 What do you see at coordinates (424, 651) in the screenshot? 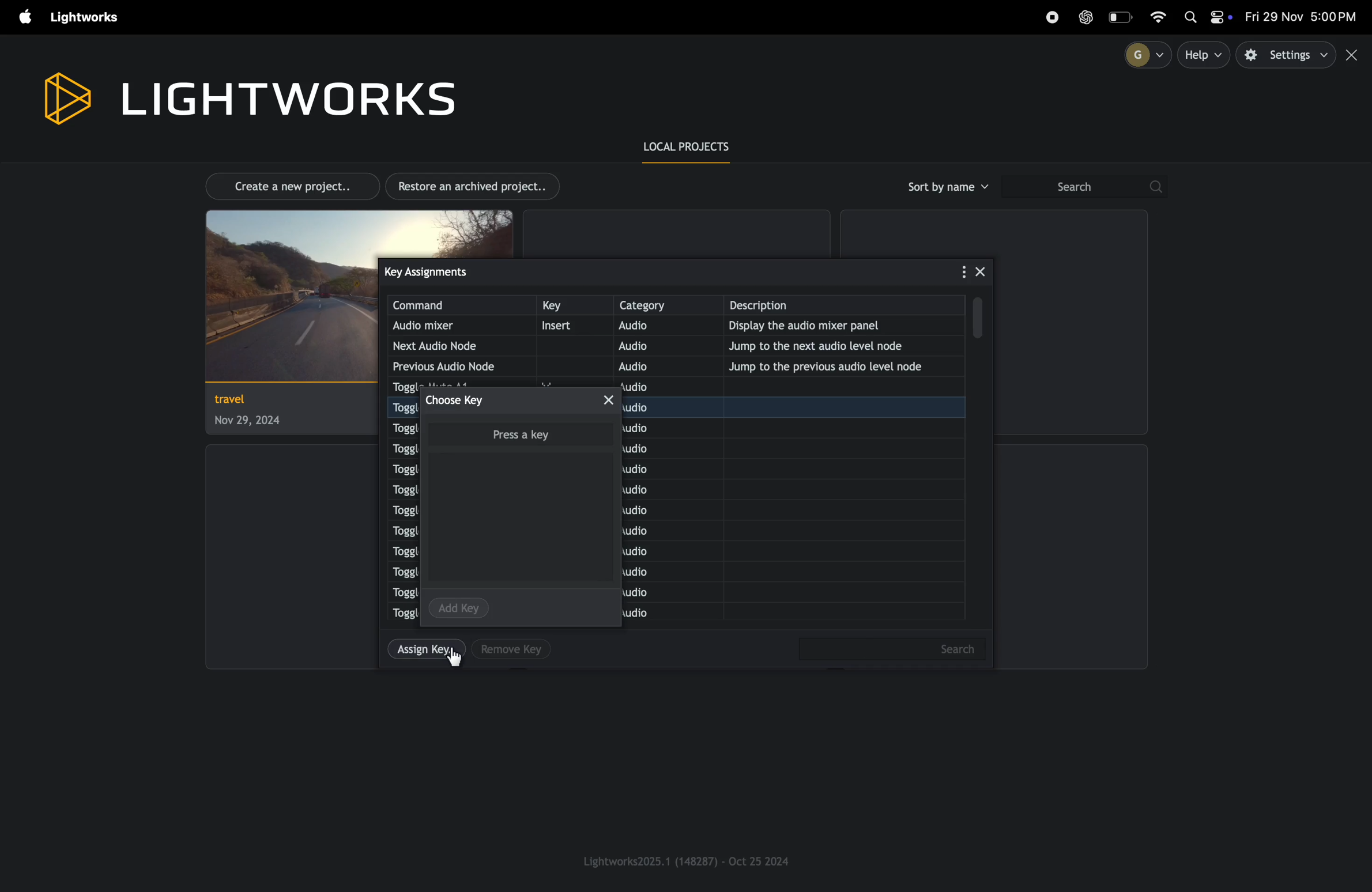
I see `Assign key` at bounding box center [424, 651].